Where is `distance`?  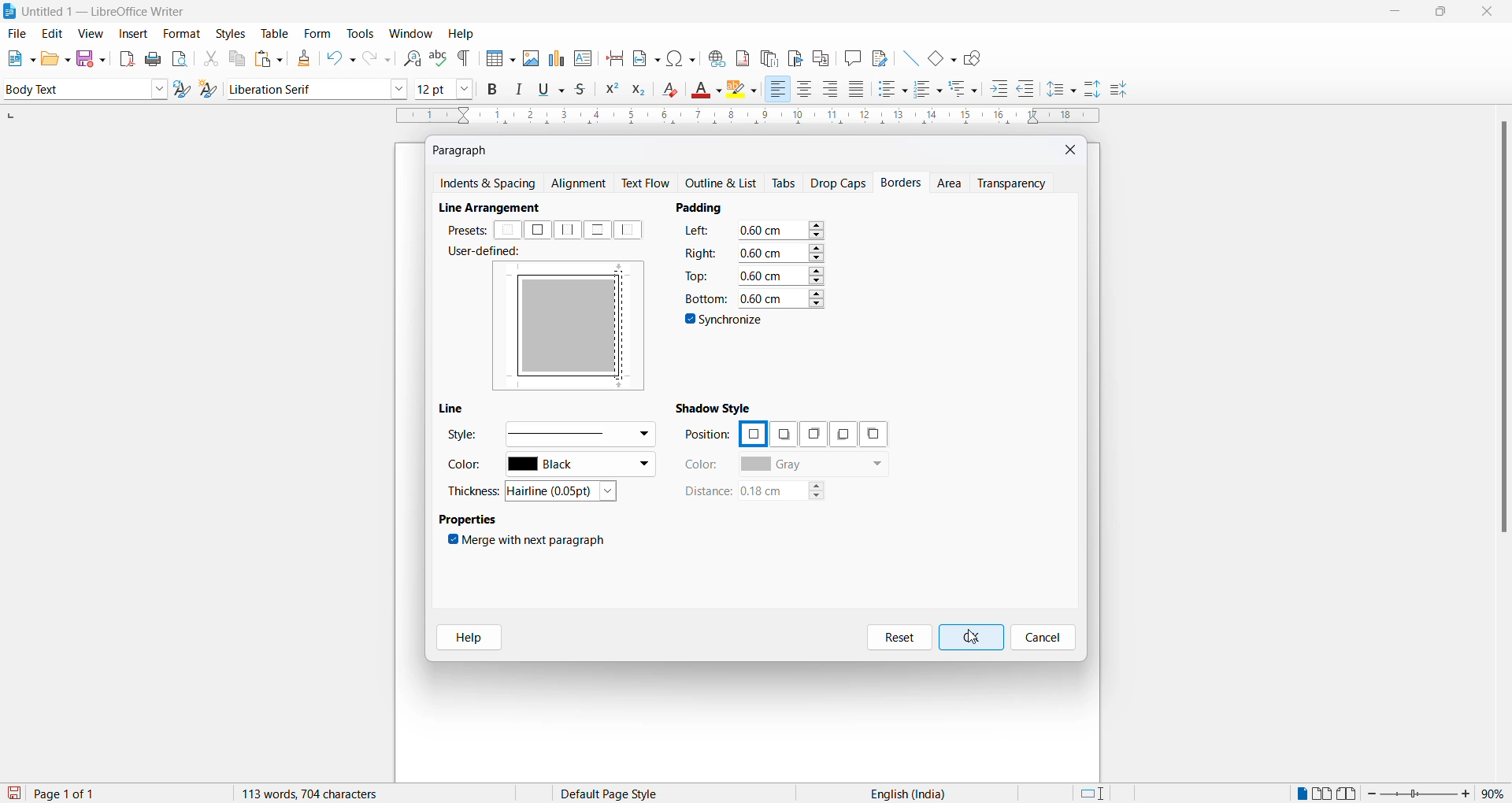
distance is located at coordinates (706, 492).